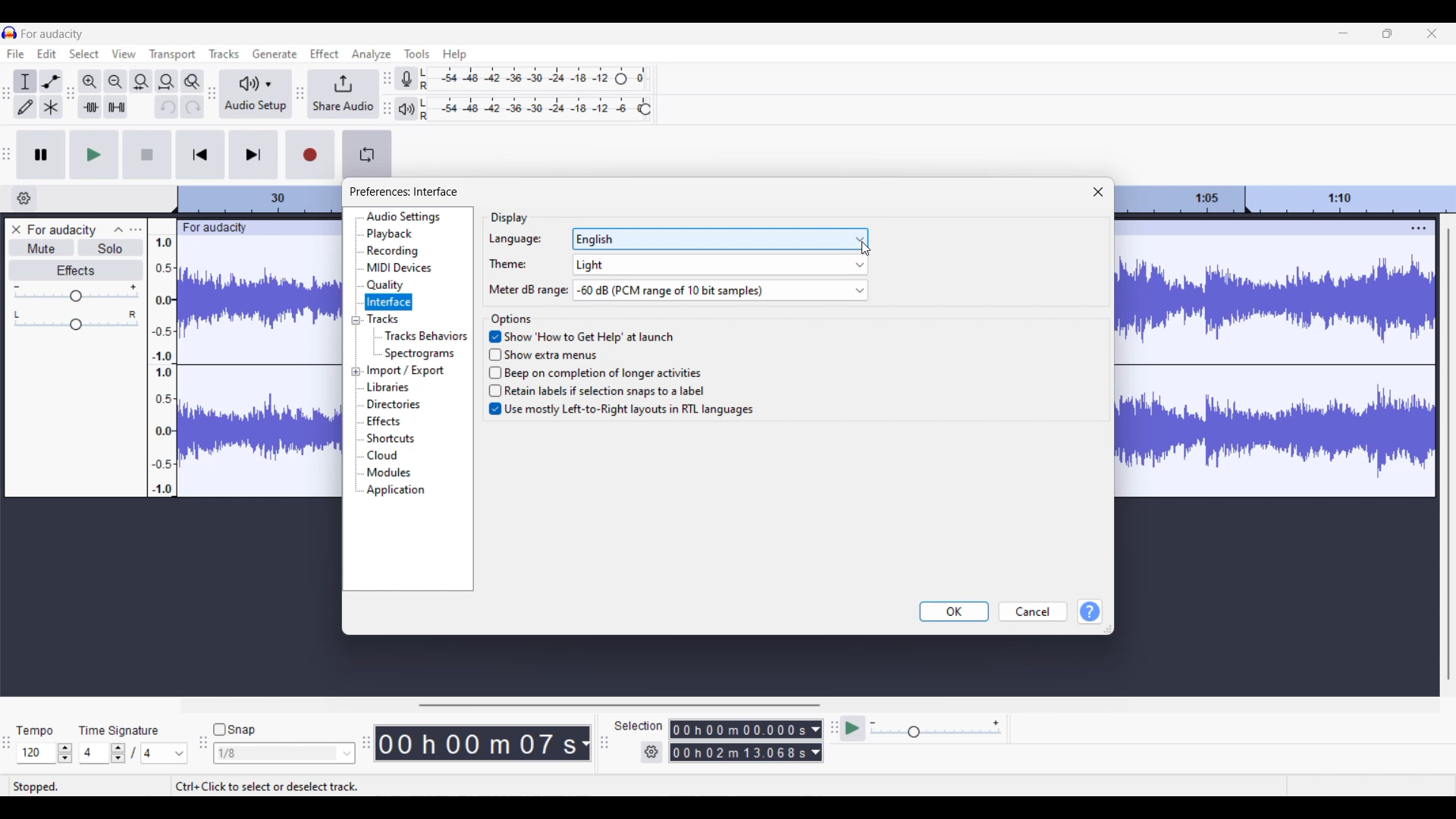 The height and width of the screenshot is (819, 1456). Describe the element at coordinates (26, 106) in the screenshot. I see `Draw tool` at that location.